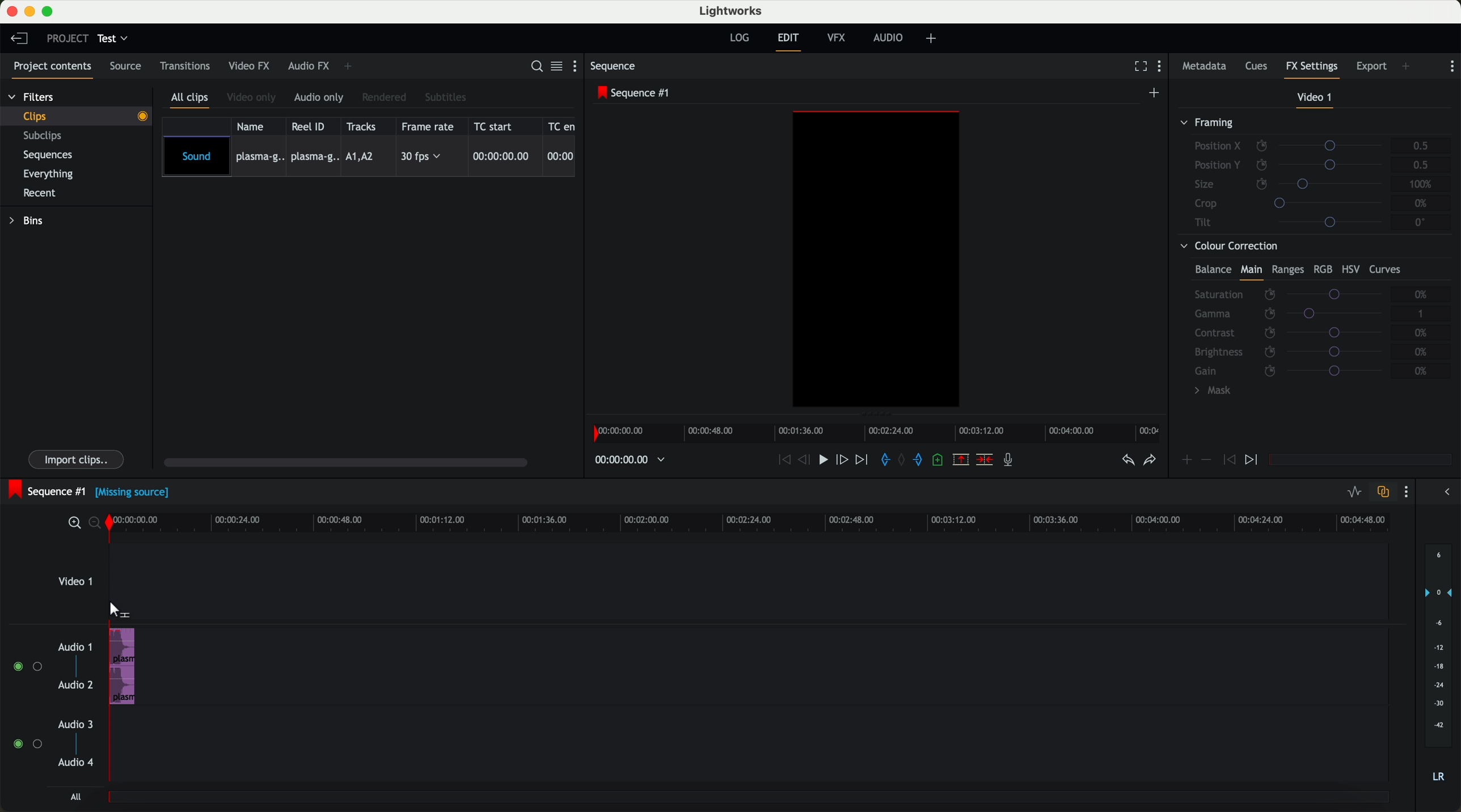  Describe the element at coordinates (535, 67) in the screenshot. I see `search` at that location.